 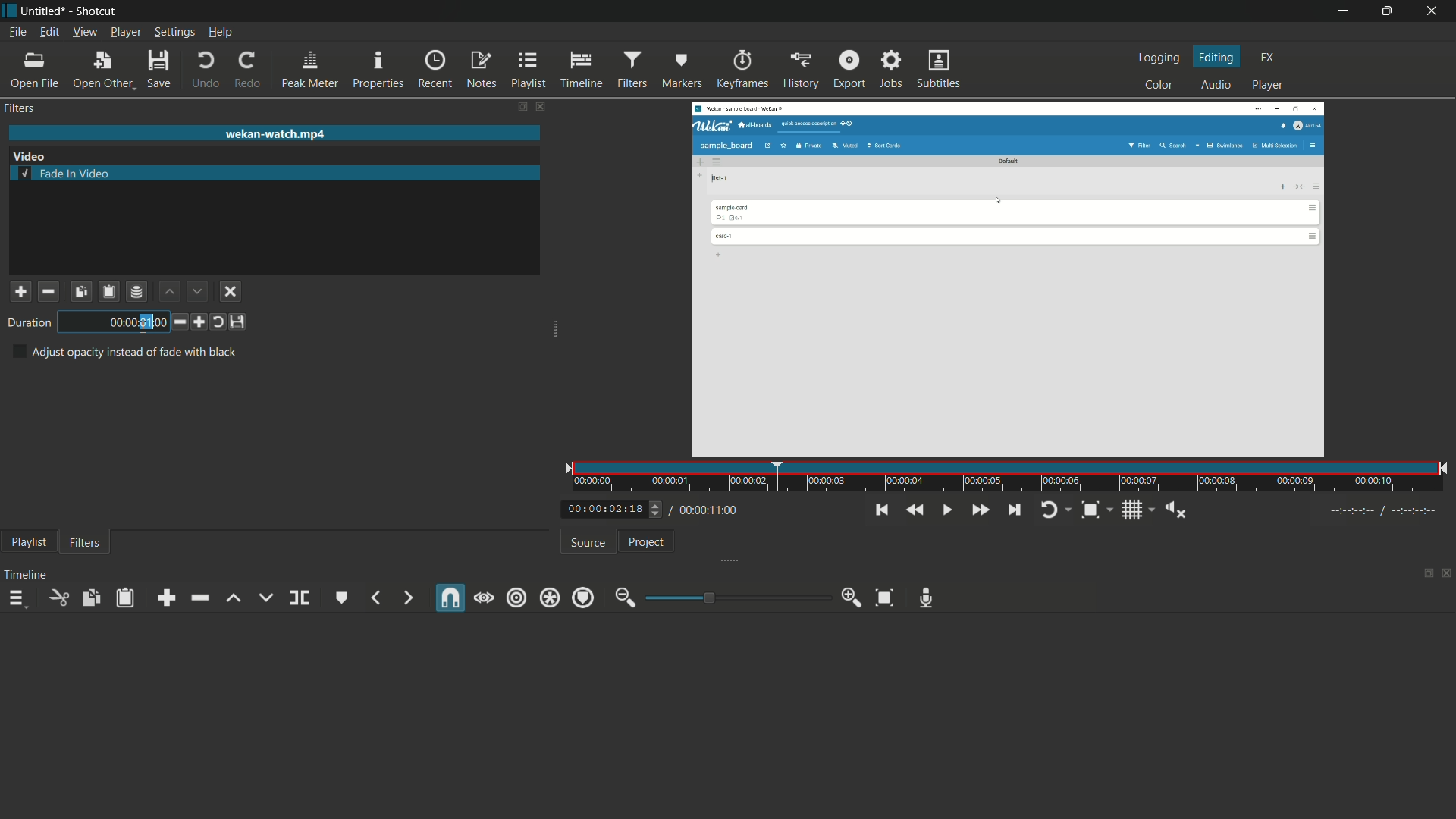 I want to click on playlist, so click(x=527, y=71).